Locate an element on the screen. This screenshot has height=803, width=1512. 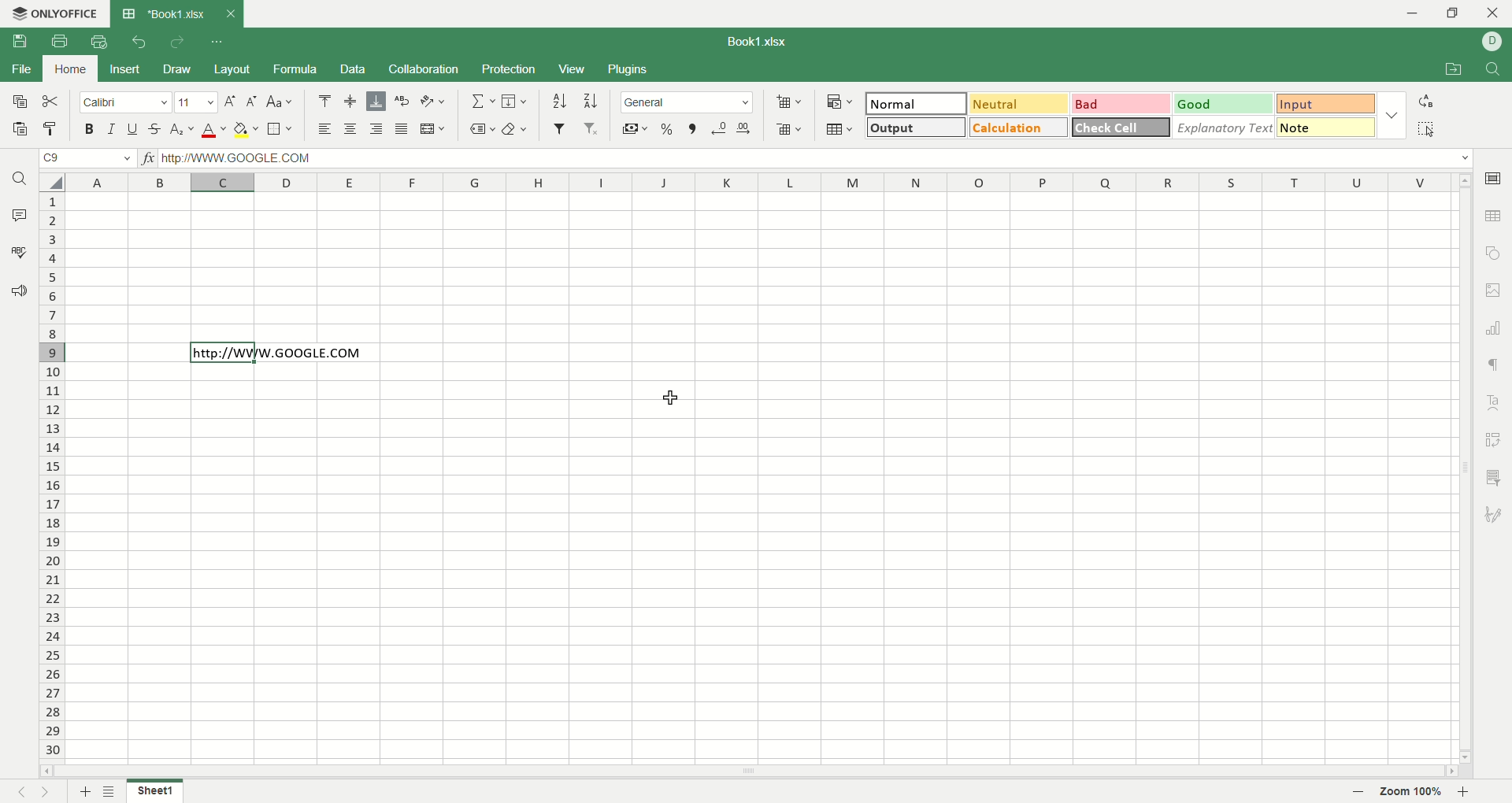
plugins is located at coordinates (628, 68).